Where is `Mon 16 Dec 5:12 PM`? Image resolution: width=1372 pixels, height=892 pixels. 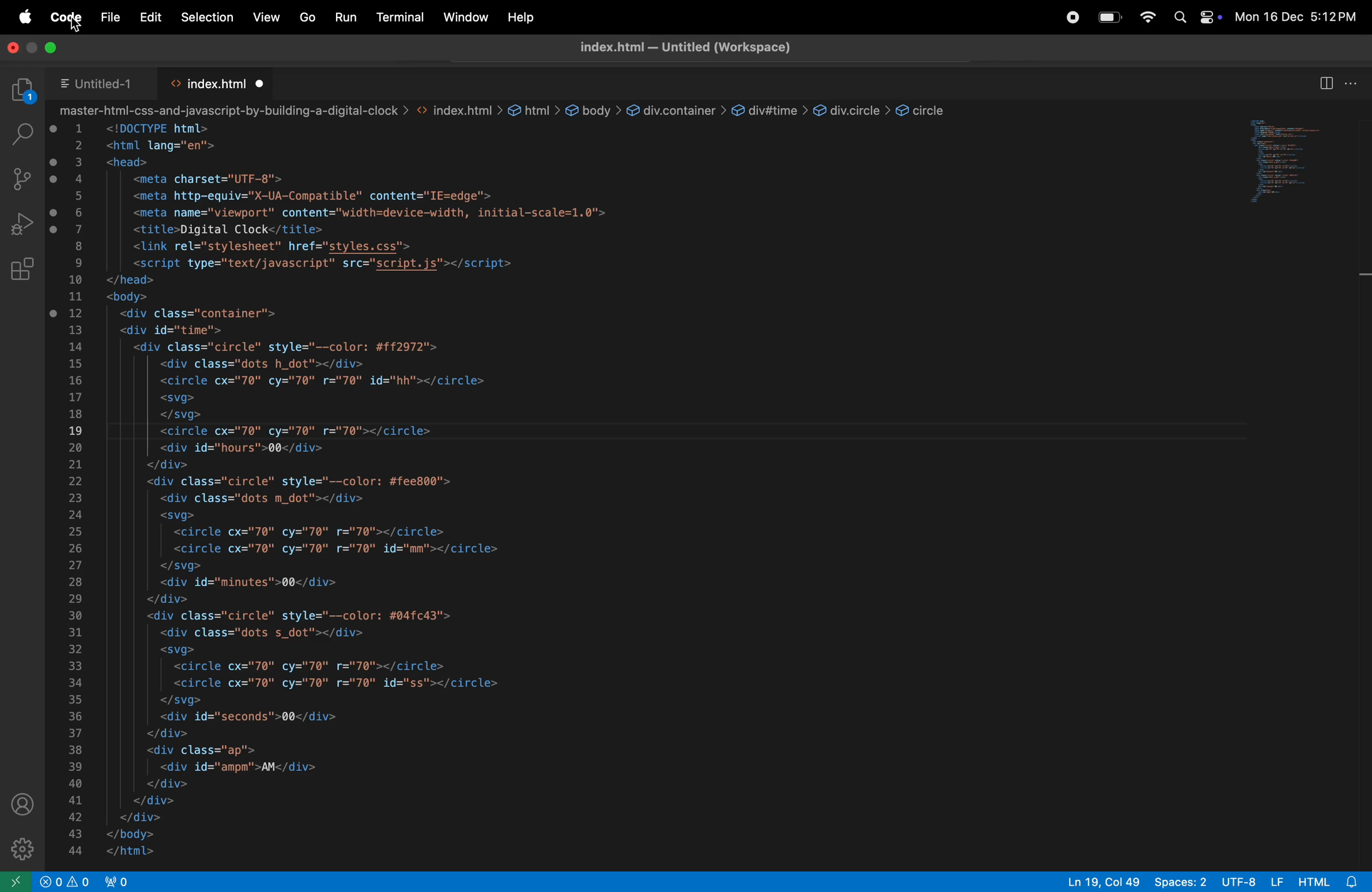 Mon 16 Dec 5:12 PM is located at coordinates (1299, 16).